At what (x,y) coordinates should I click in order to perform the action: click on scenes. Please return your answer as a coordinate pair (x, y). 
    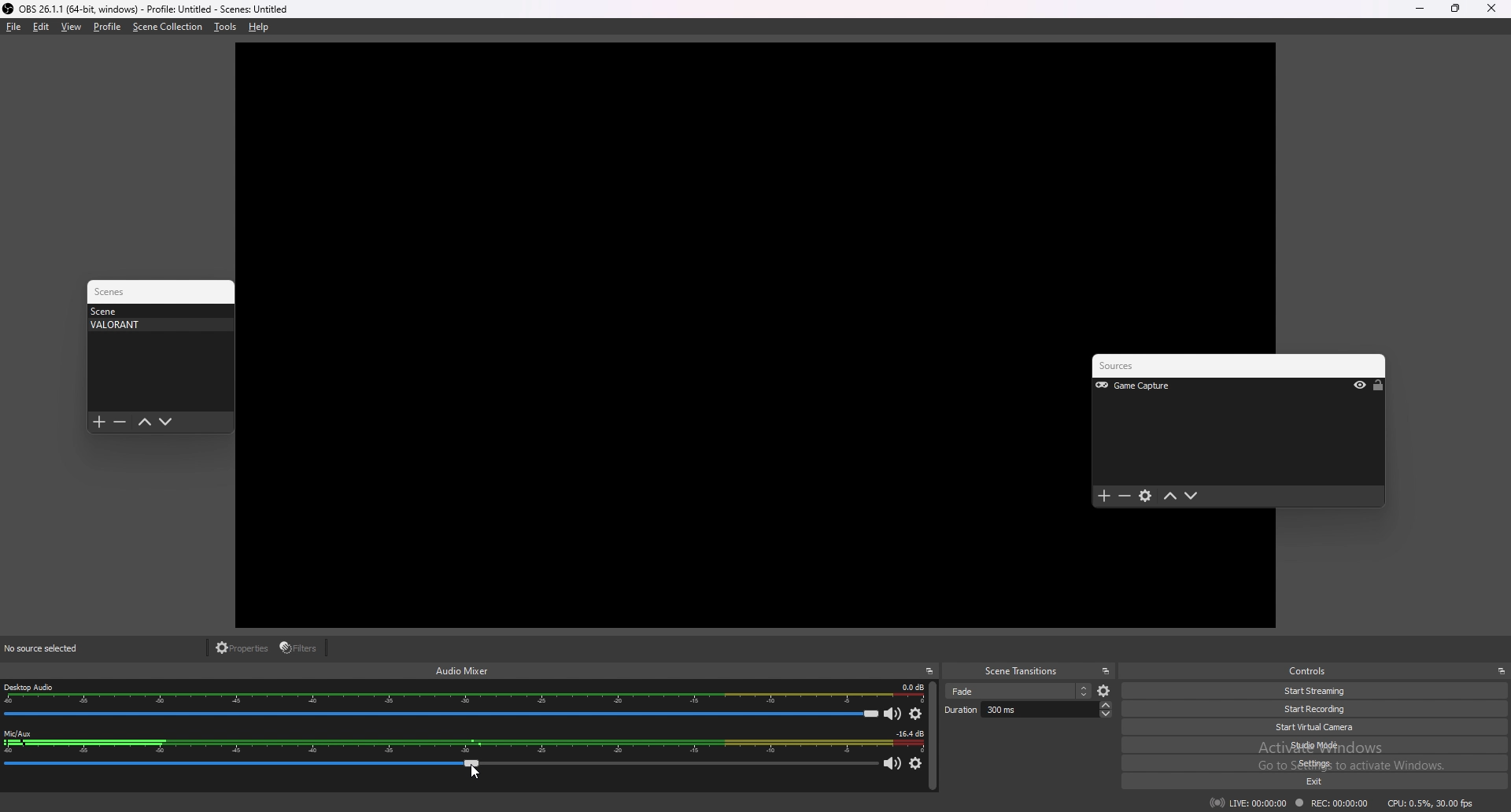
    Looking at the image, I should click on (116, 292).